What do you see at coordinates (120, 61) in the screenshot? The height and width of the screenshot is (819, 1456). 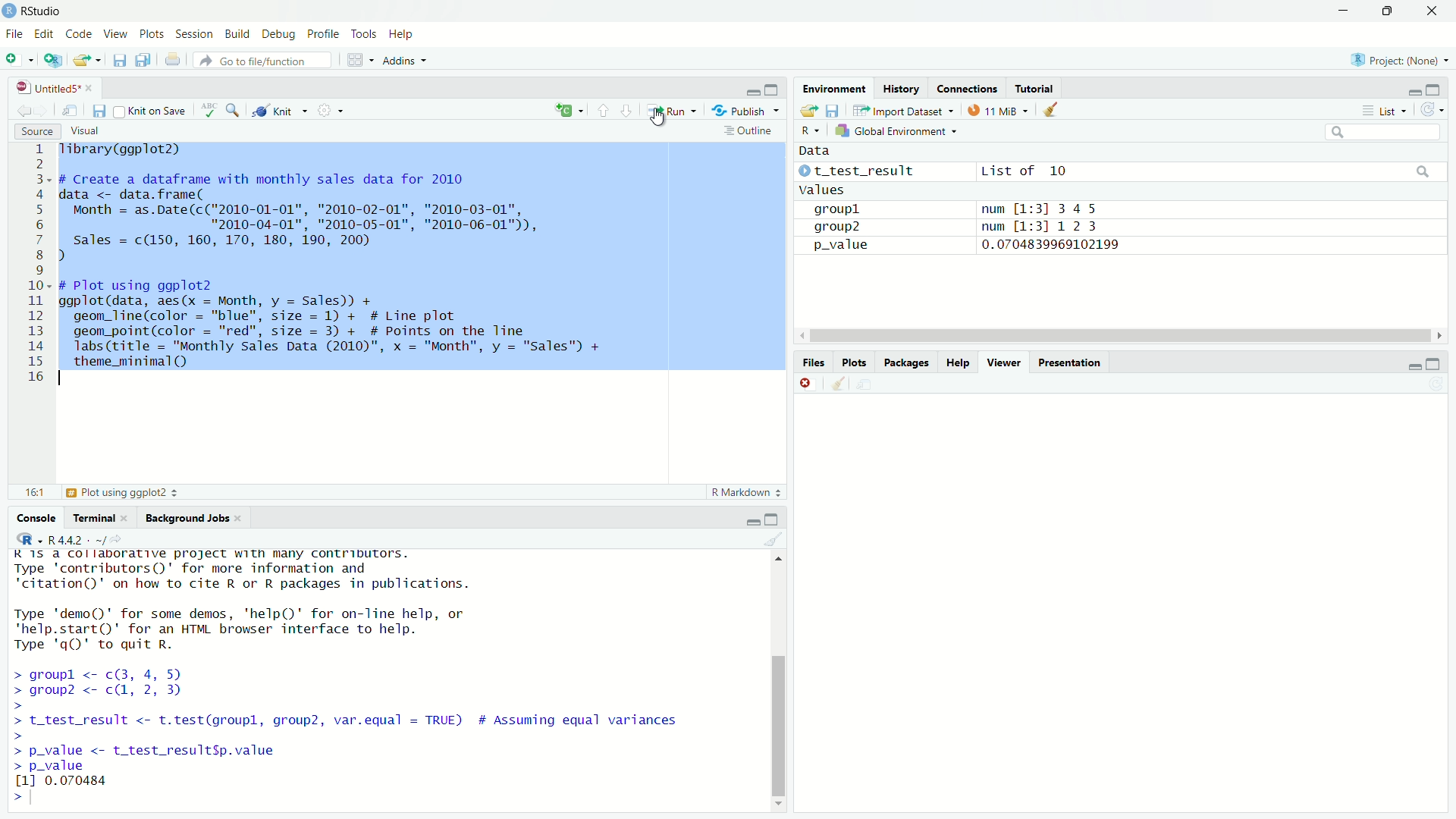 I see `save current file` at bounding box center [120, 61].